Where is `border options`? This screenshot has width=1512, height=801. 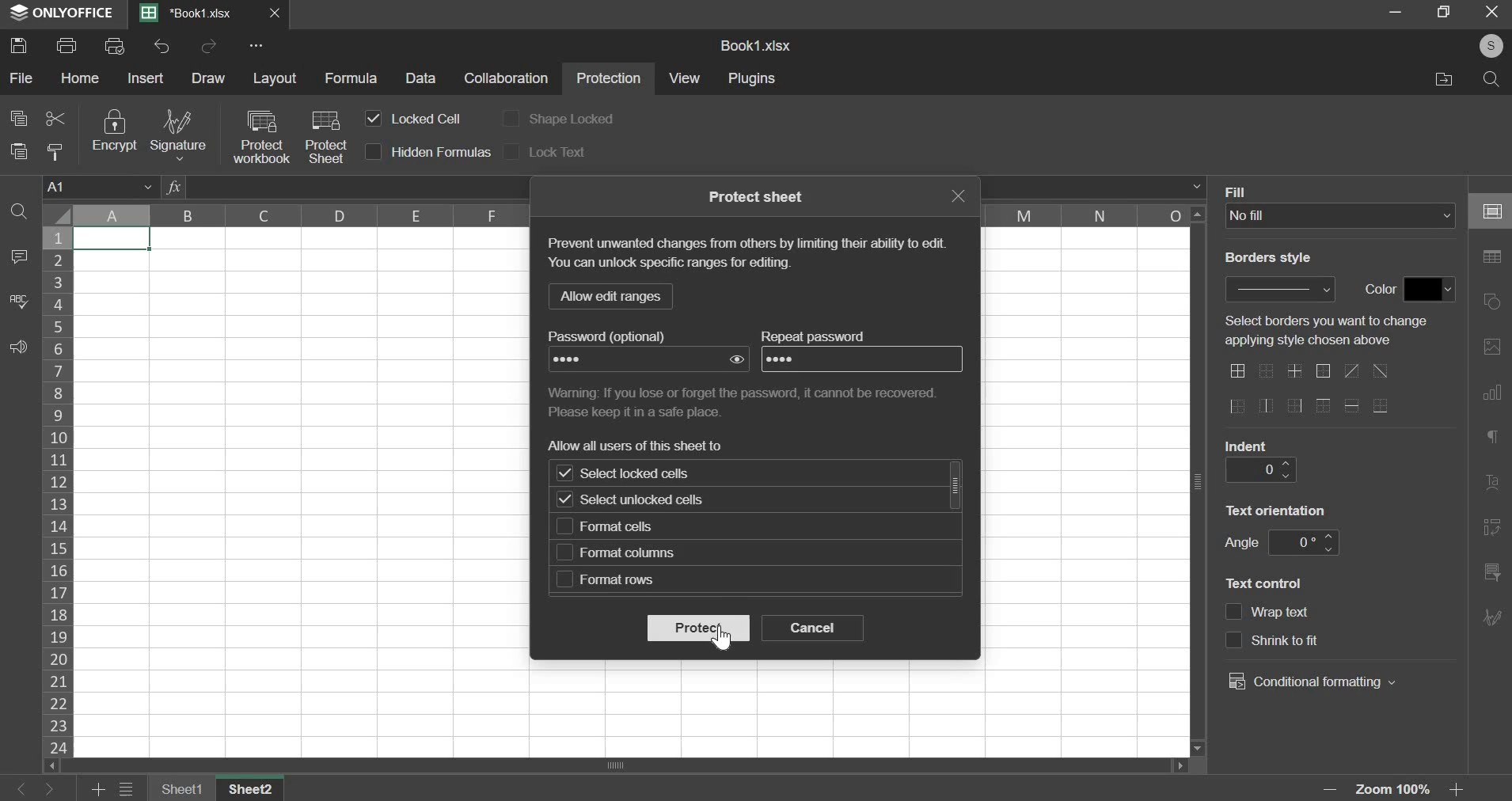 border options is located at coordinates (1237, 370).